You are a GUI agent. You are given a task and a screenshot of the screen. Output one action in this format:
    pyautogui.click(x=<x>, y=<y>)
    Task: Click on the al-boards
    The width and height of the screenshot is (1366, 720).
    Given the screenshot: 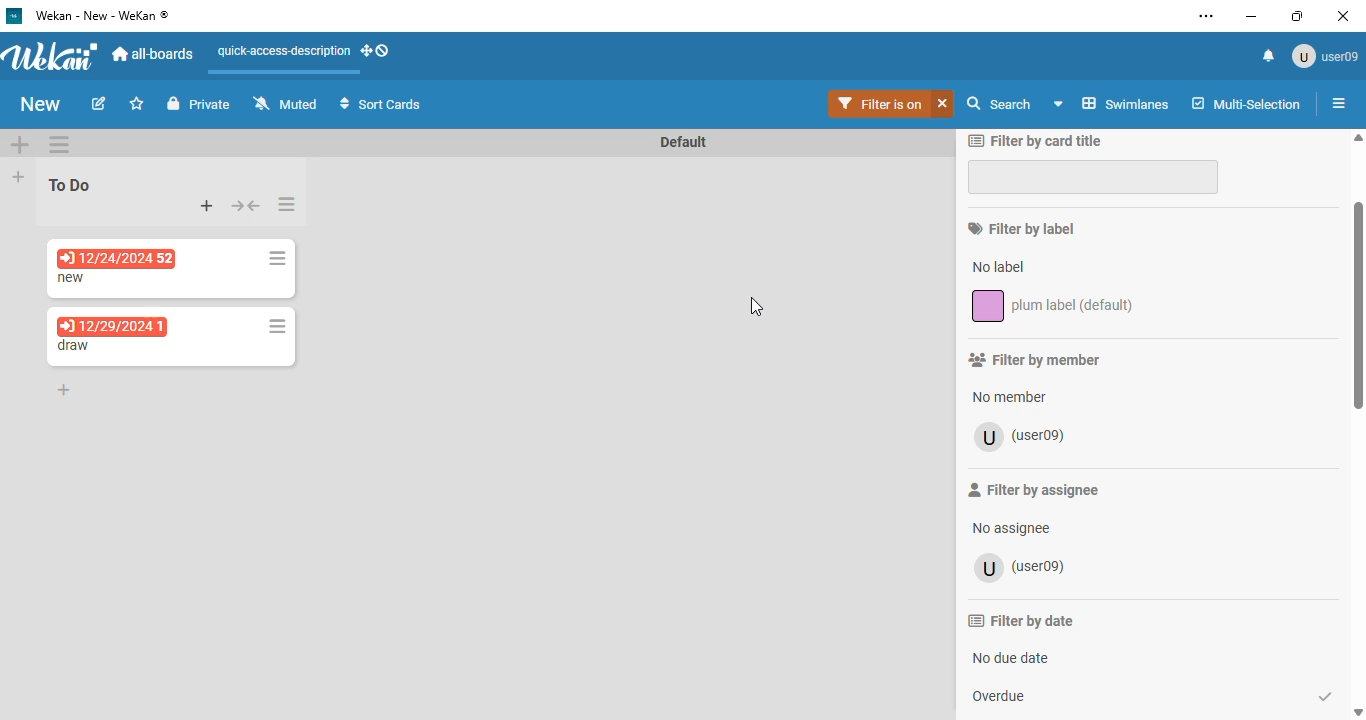 What is the action you would take?
    pyautogui.click(x=154, y=55)
    